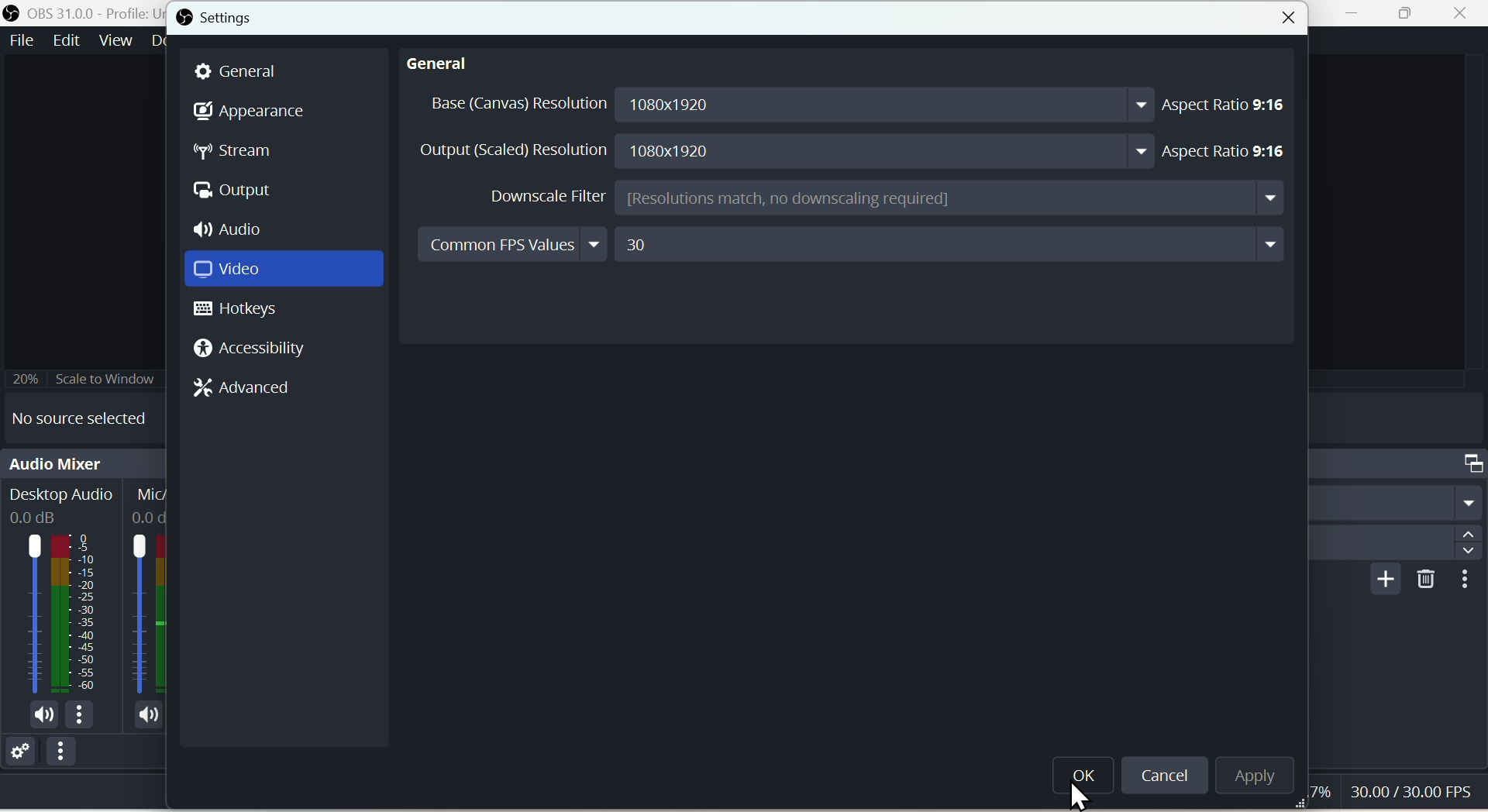 This screenshot has height=812, width=1488. Describe the element at coordinates (83, 461) in the screenshot. I see `Audio mixer` at that location.